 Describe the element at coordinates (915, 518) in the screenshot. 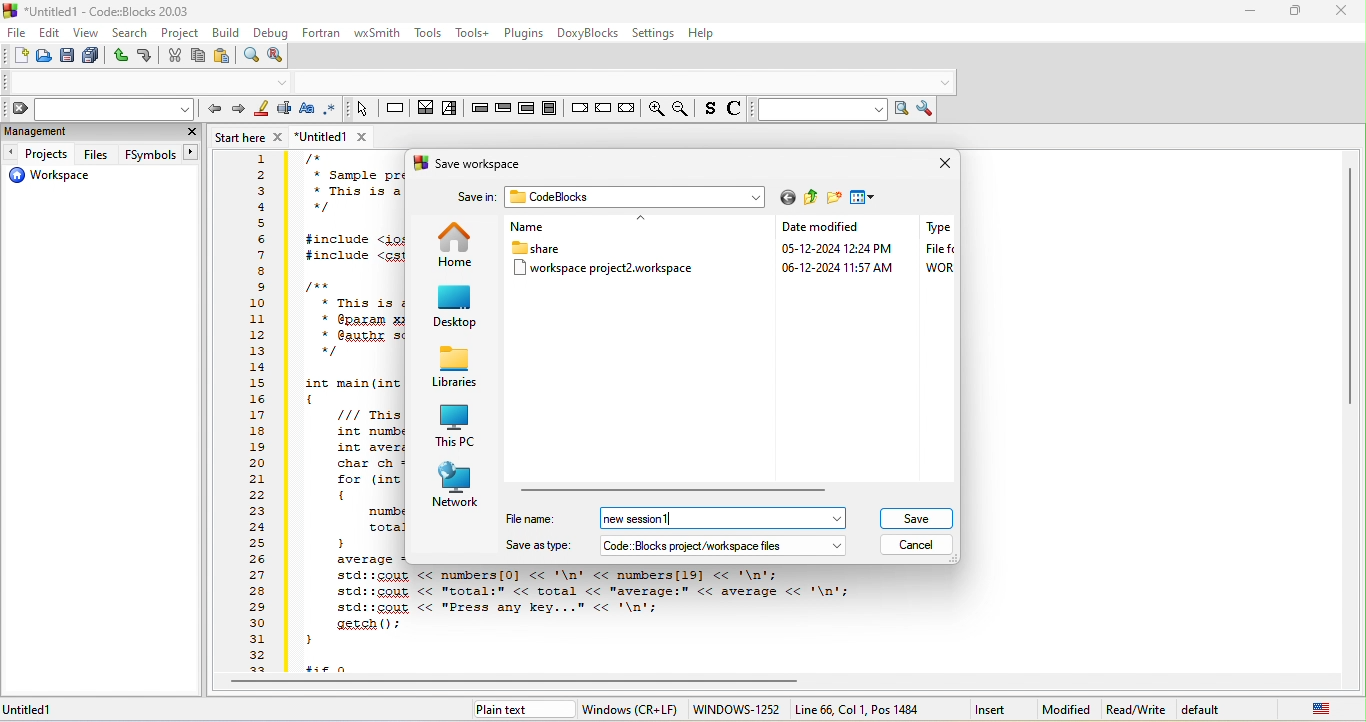

I see `save` at that location.